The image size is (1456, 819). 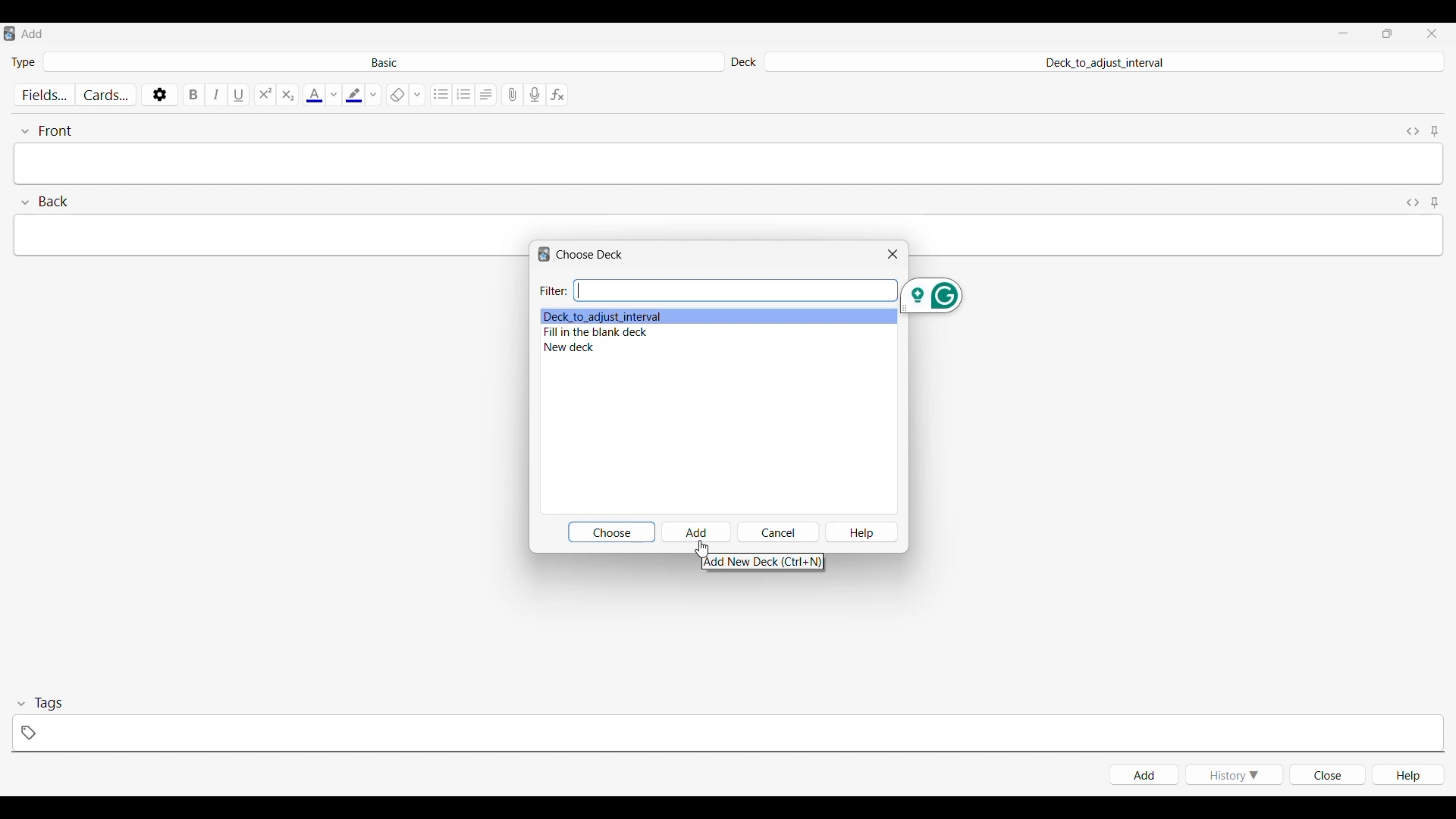 What do you see at coordinates (743, 63) in the screenshot?
I see `Indicates Deck settings` at bounding box center [743, 63].